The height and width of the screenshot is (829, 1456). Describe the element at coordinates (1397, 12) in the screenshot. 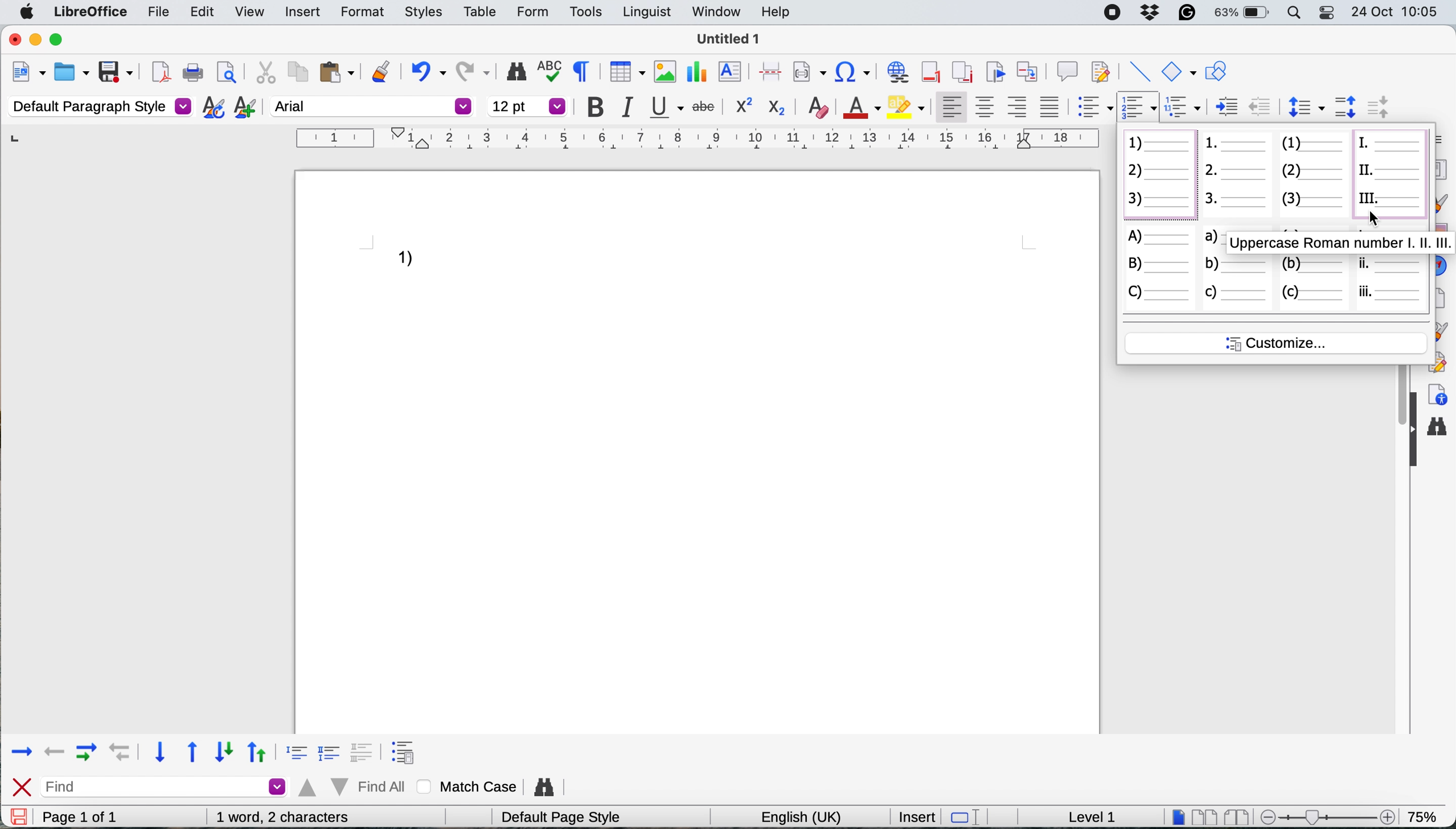

I see `24-Oct 10:05` at that location.